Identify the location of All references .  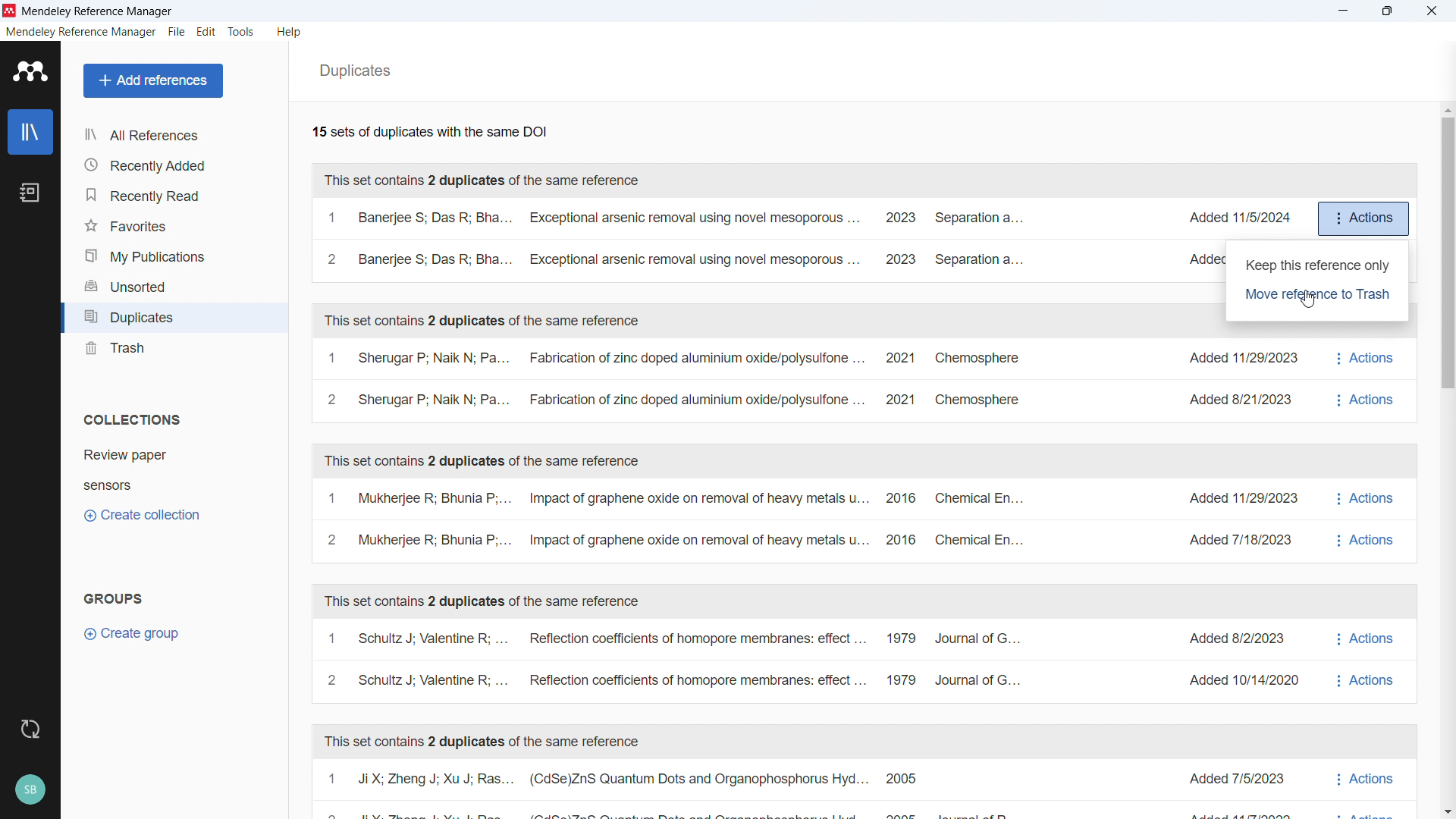
(174, 136).